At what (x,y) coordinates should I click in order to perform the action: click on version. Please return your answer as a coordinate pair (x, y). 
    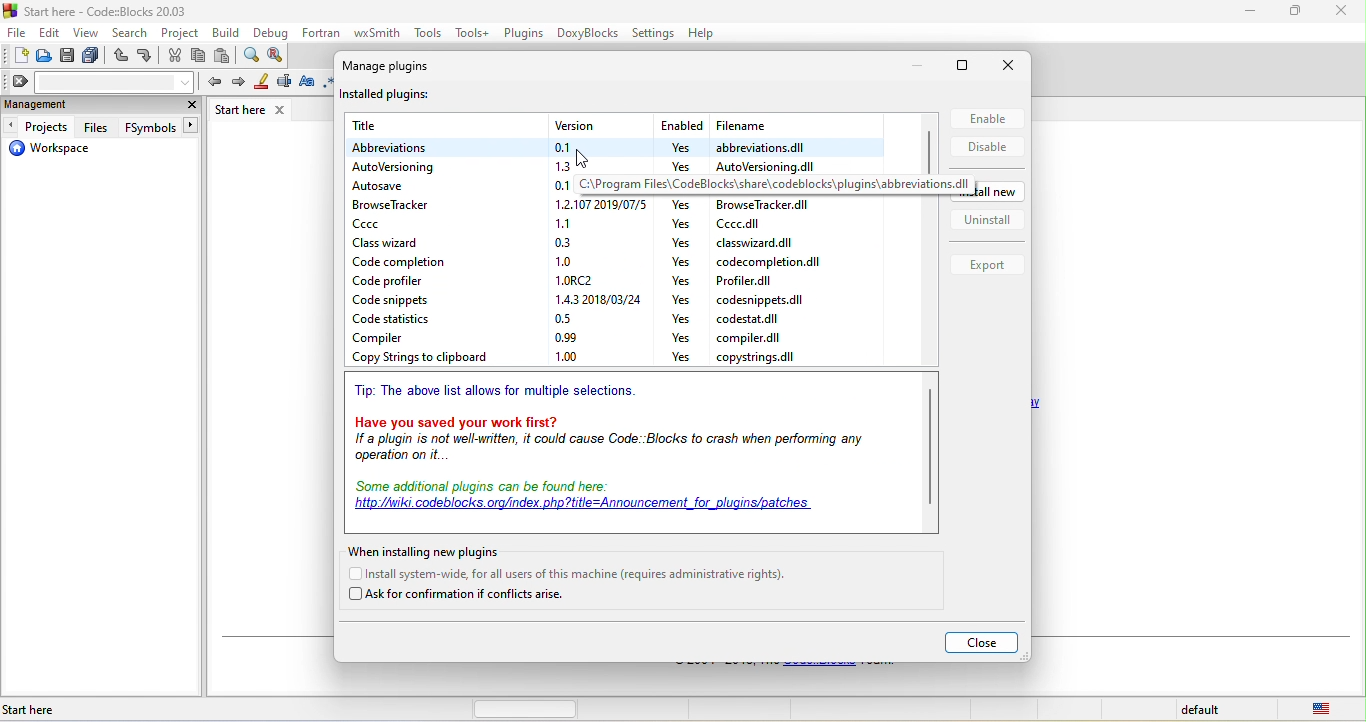
    Looking at the image, I should click on (566, 262).